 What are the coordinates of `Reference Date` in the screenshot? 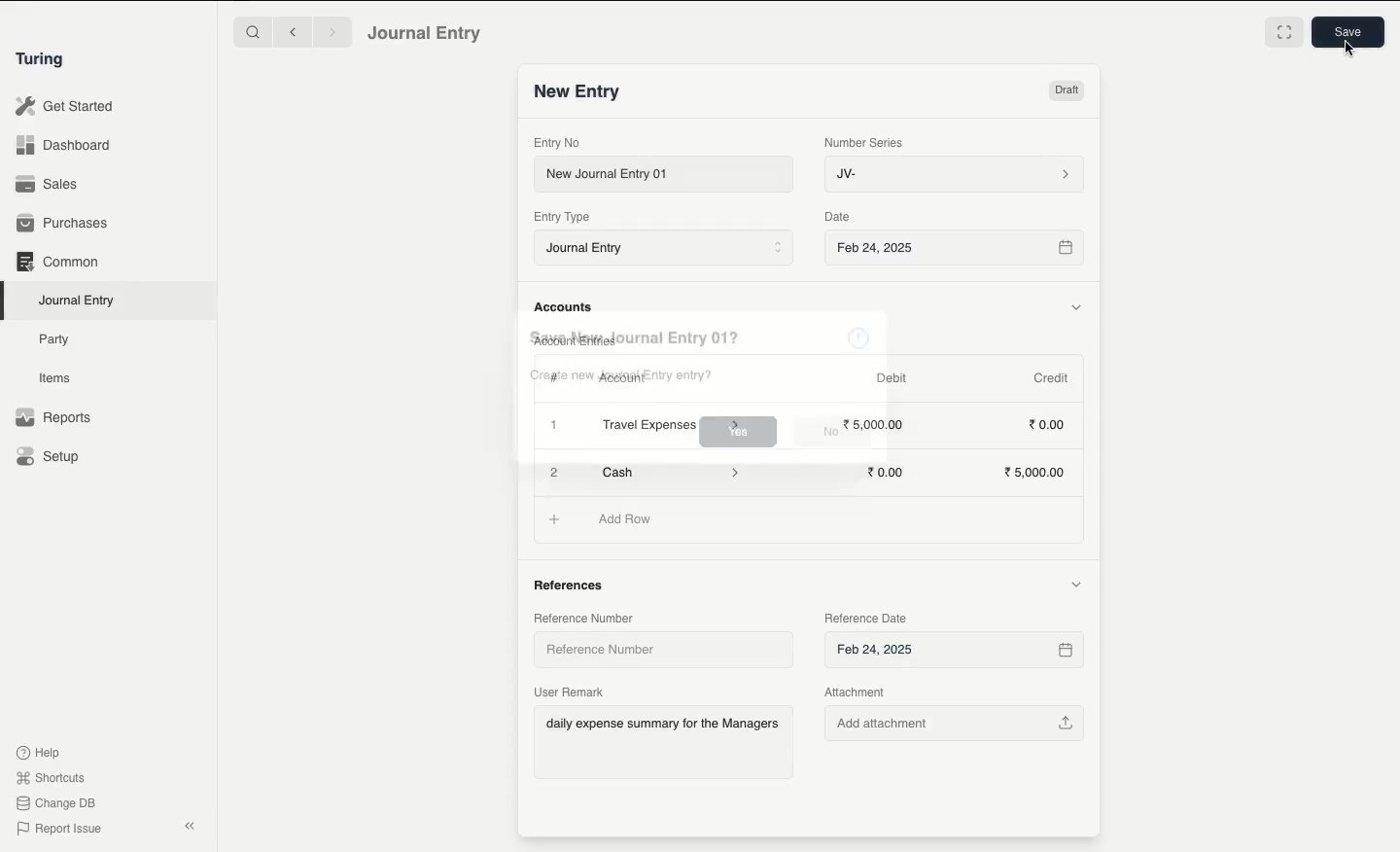 It's located at (865, 620).